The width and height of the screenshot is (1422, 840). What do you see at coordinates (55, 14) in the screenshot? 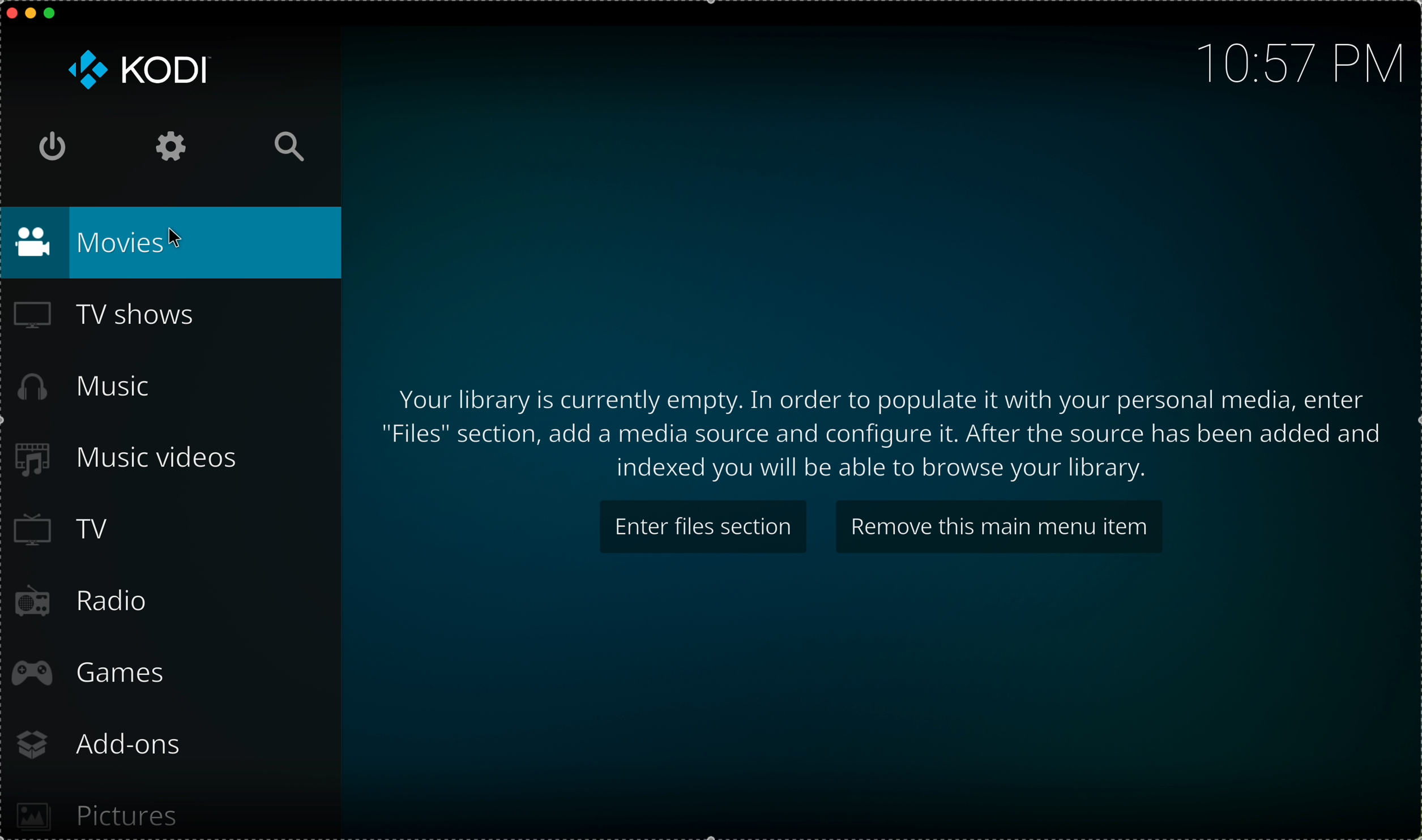
I see `maximize ` at bounding box center [55, 14].